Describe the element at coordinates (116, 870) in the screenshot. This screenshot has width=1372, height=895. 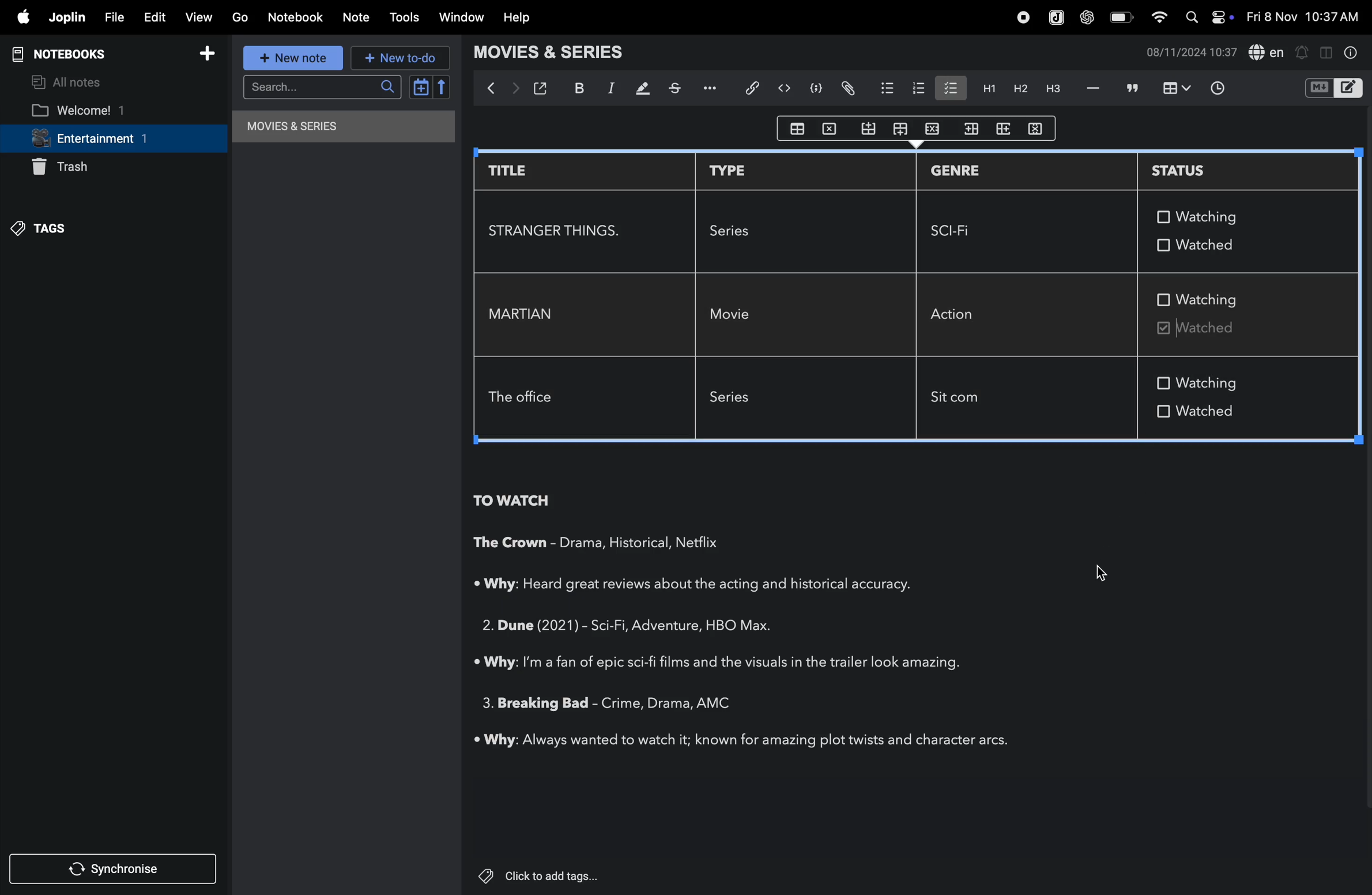
I see `synchronise` at that location.